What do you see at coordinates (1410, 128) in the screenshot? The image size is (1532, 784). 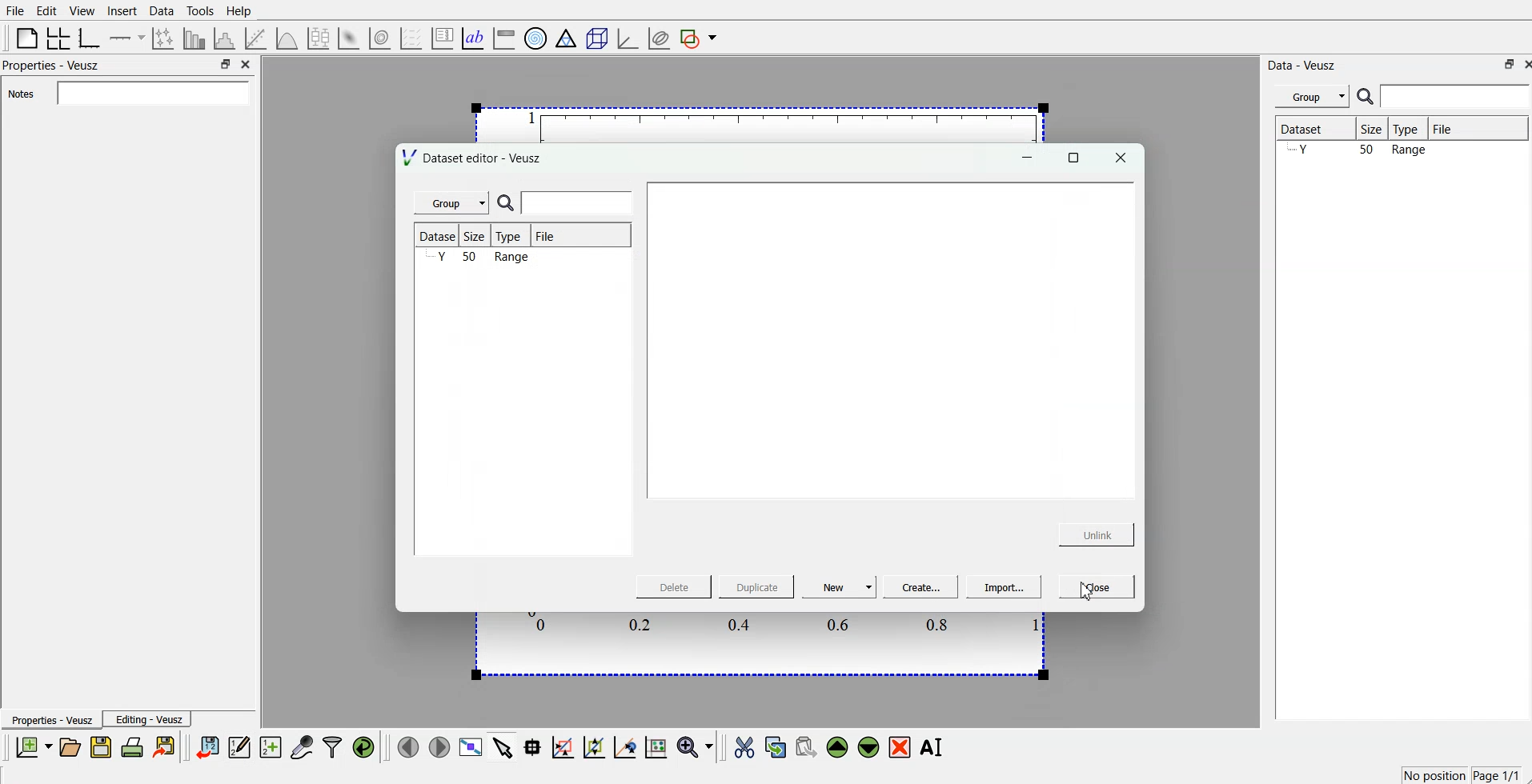 I see `Type` at bounding box center [1410, 128].